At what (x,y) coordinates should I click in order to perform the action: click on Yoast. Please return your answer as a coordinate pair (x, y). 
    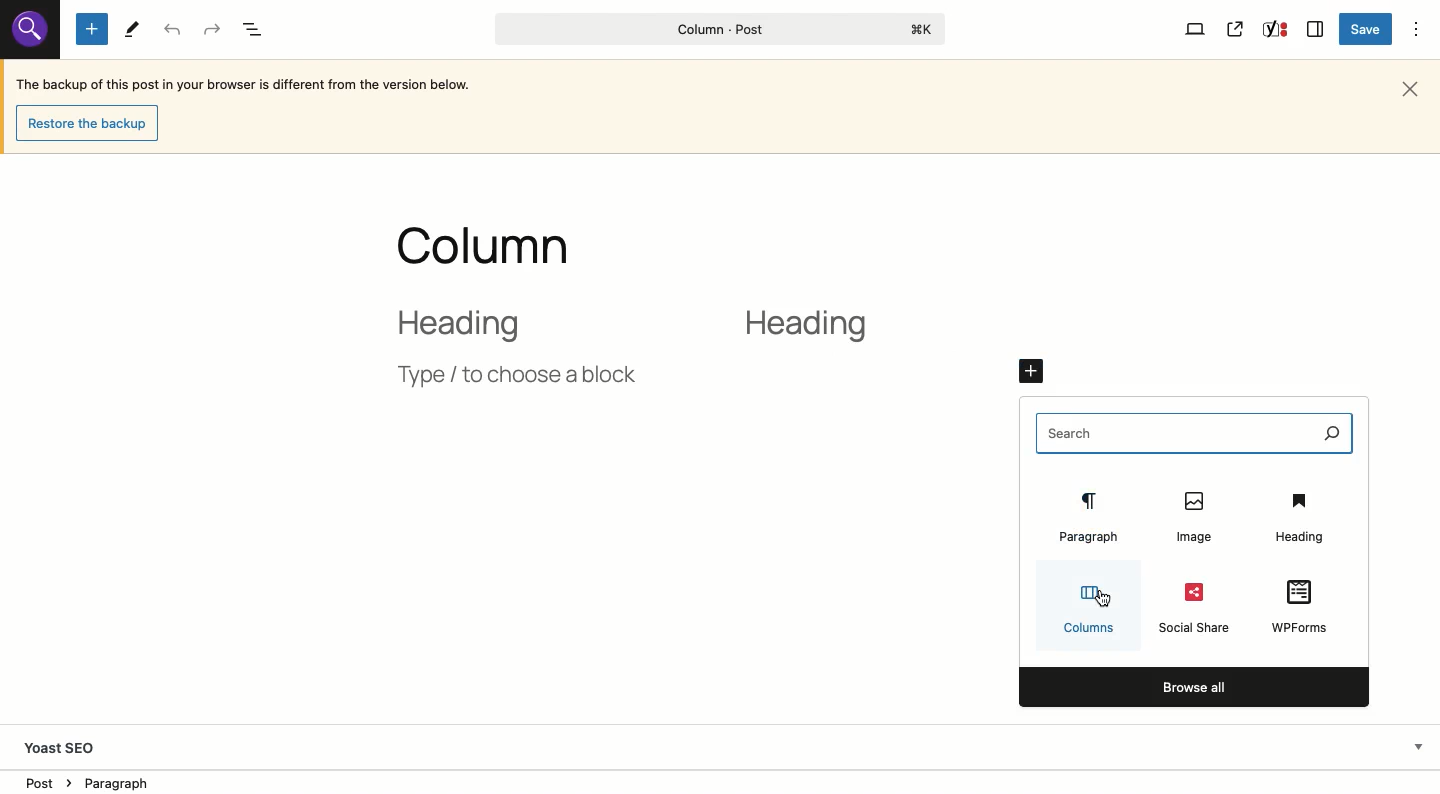
    Looking at the image, I should click on (1273, 31).